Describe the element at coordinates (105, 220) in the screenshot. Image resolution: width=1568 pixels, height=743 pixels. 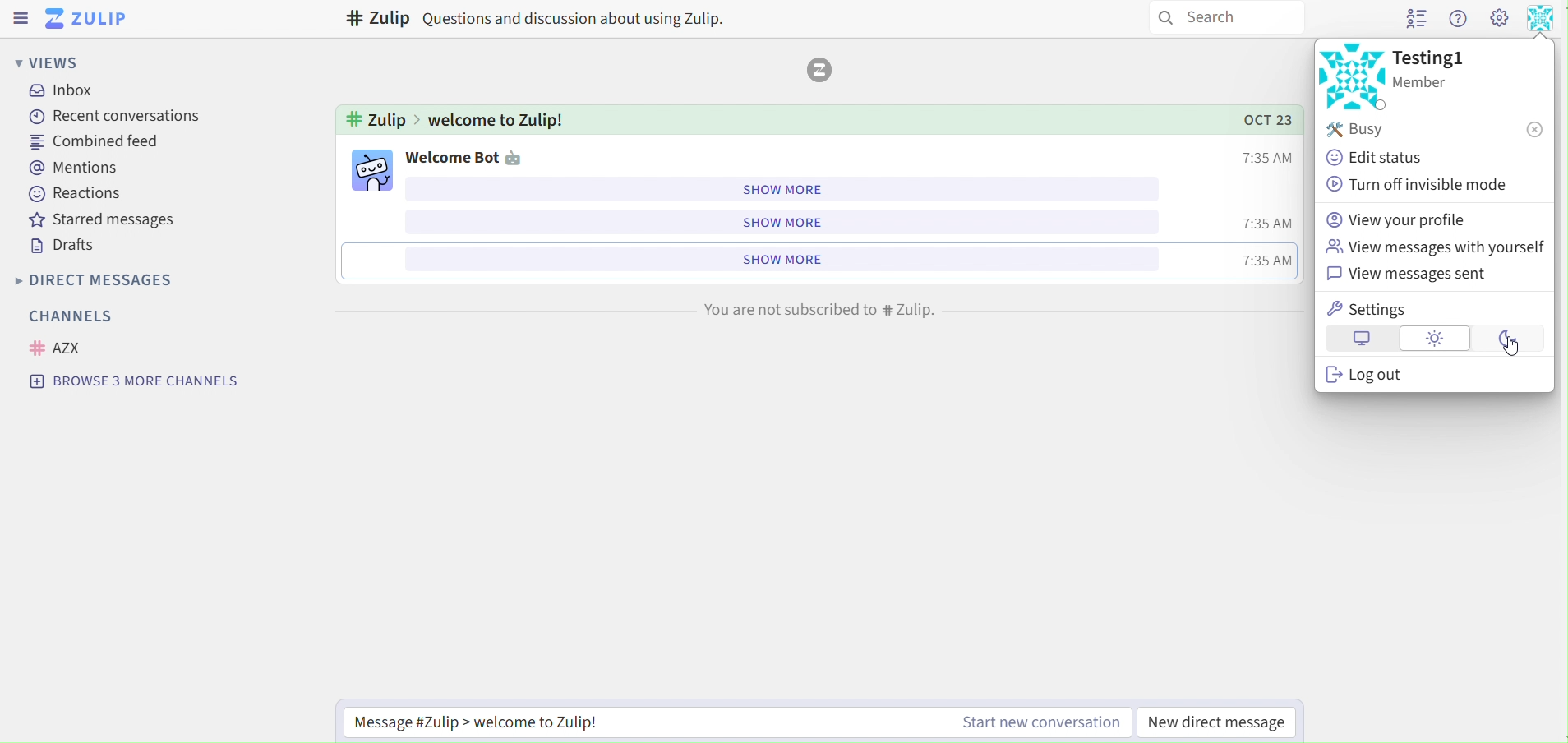
I see `starred messages` at that location.